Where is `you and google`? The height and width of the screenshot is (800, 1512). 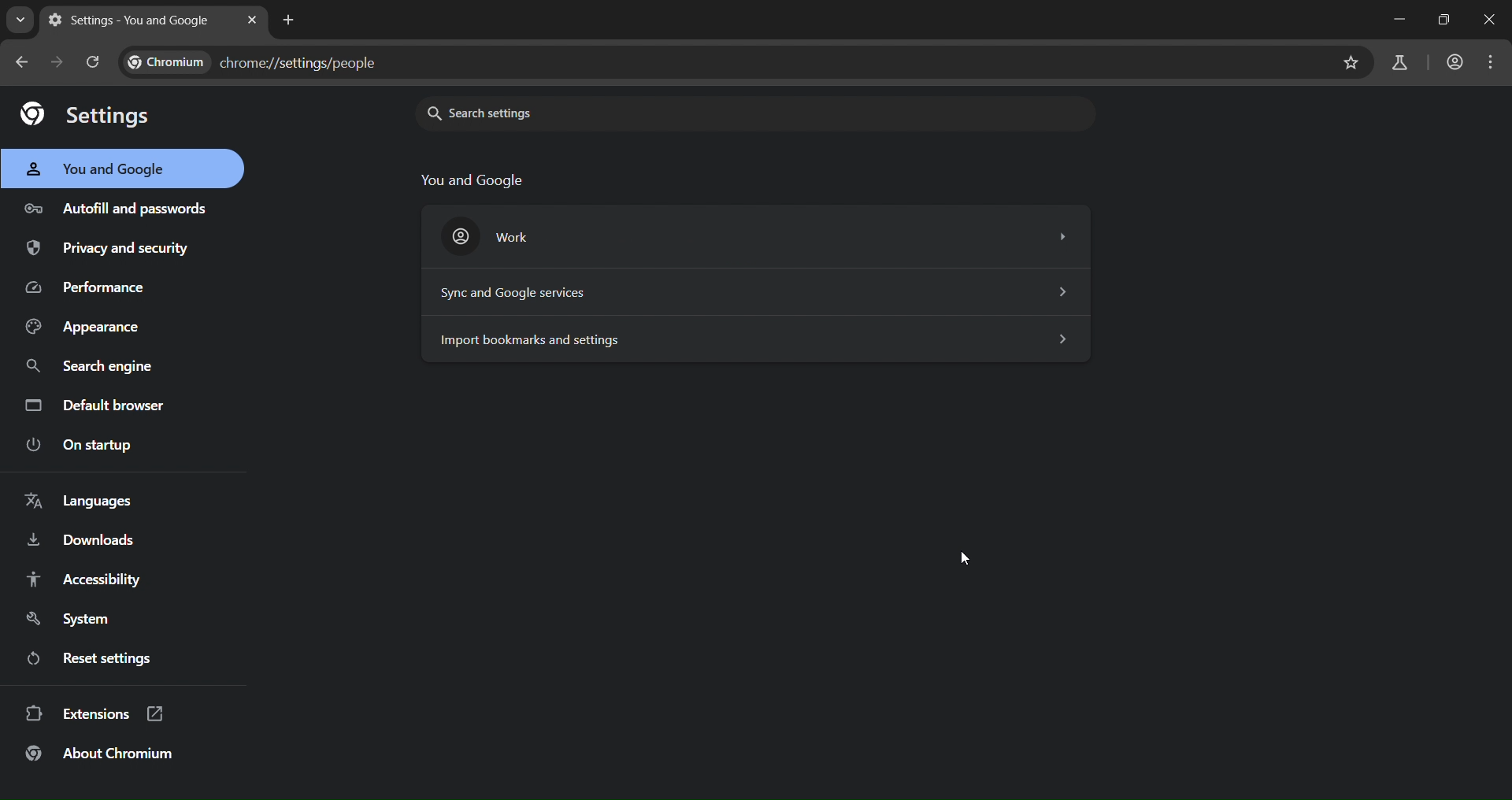 you and google is located at coordinates (98, 170).